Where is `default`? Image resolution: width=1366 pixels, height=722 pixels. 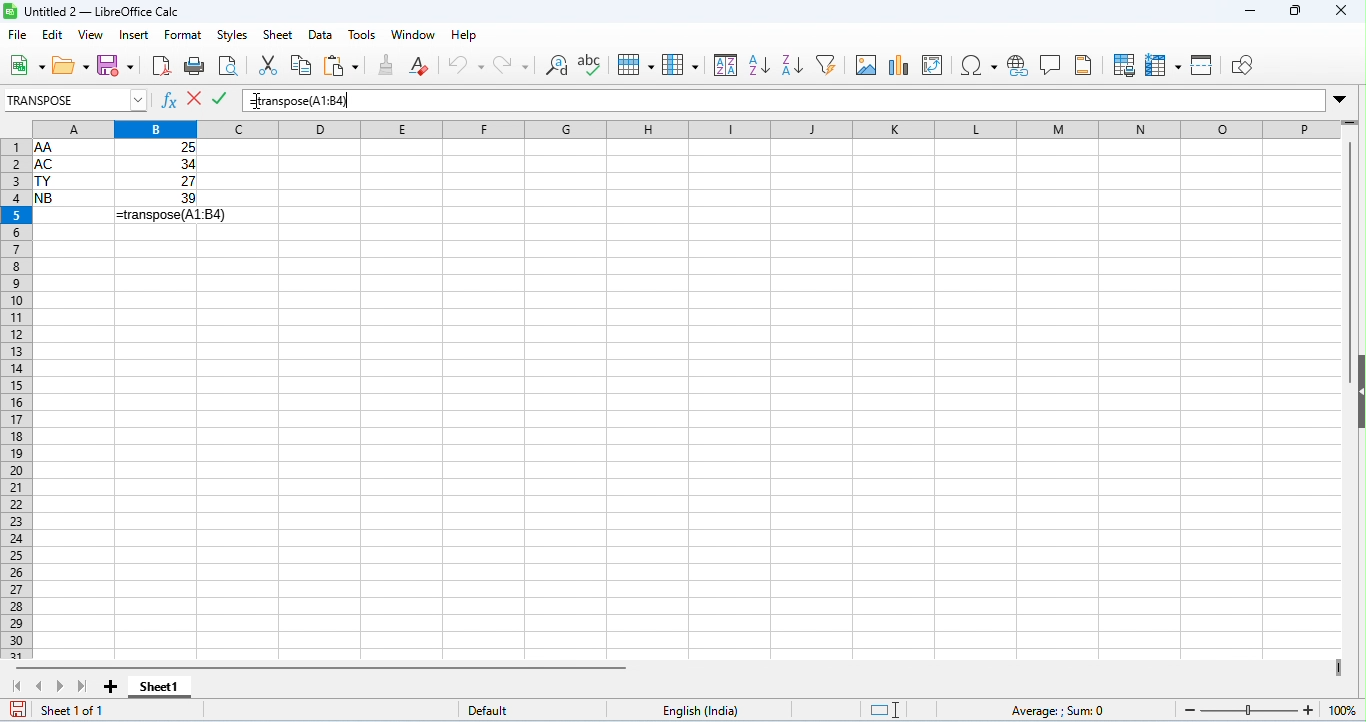 default is located at coordinates (489, 710).